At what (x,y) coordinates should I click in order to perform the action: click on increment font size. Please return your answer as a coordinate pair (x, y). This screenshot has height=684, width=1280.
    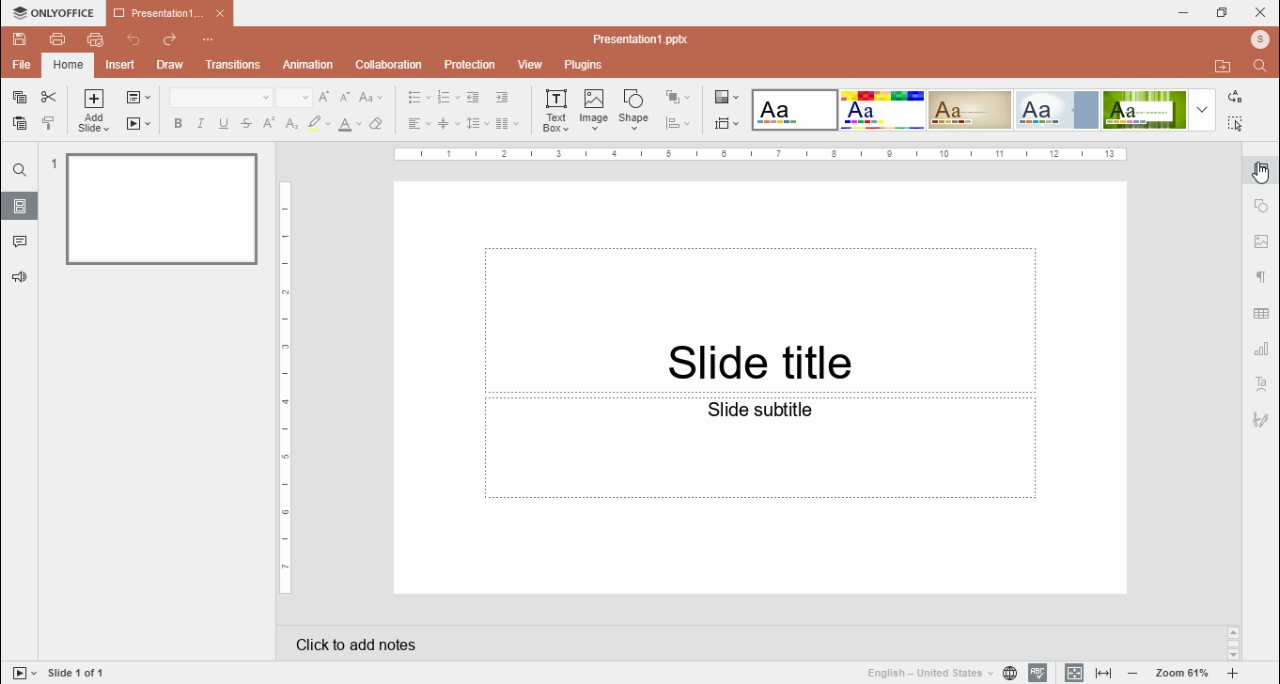
    Looking at the image, I should click on (326, 98).